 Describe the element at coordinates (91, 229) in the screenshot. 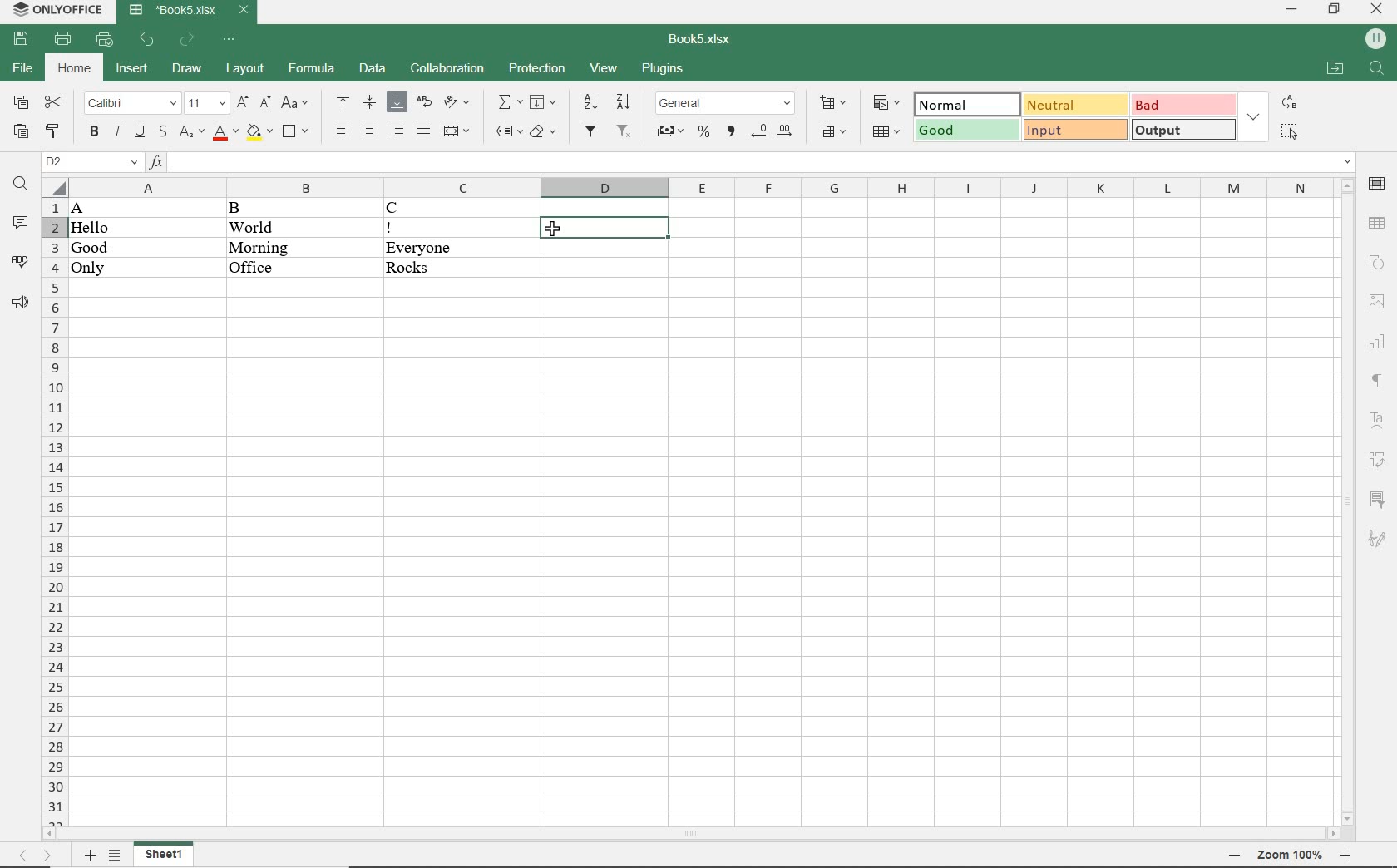

I see `Hello` at that location.